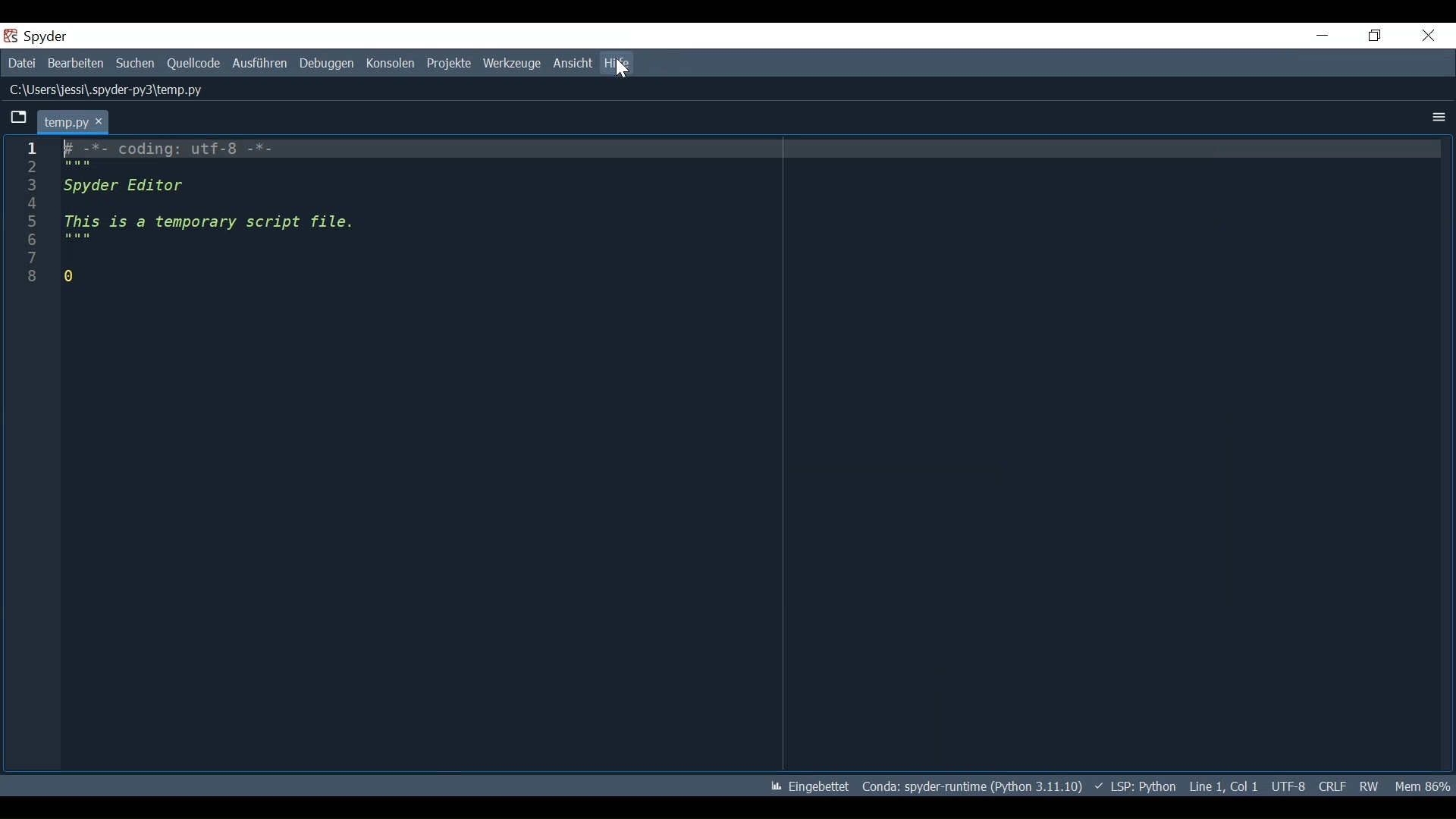 Image resolution: width=1456 pixels, height=819 pixels. I want to click on Projects, so click(450, 64).